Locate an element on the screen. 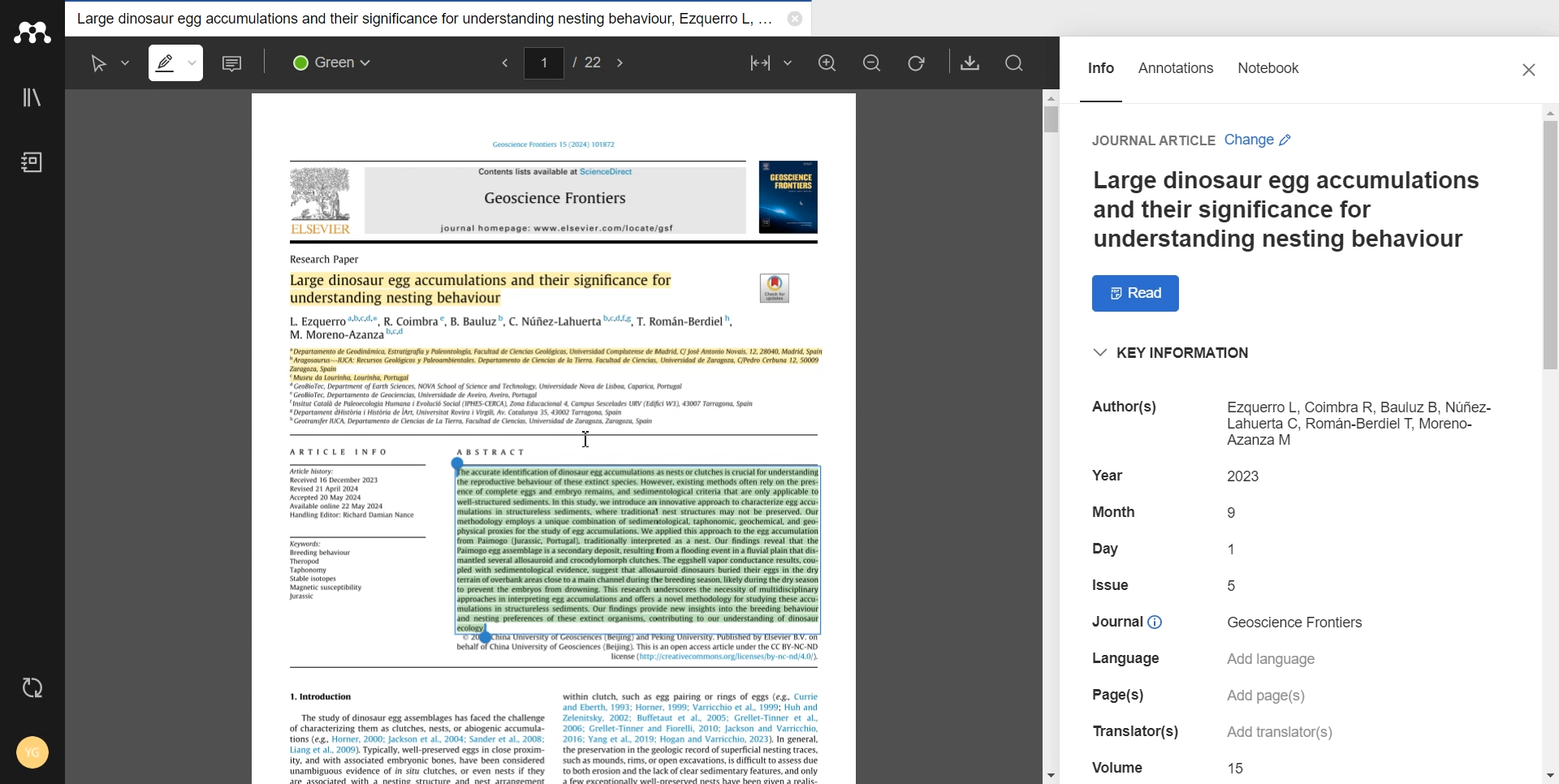  text is located at coordinates (339, 450).